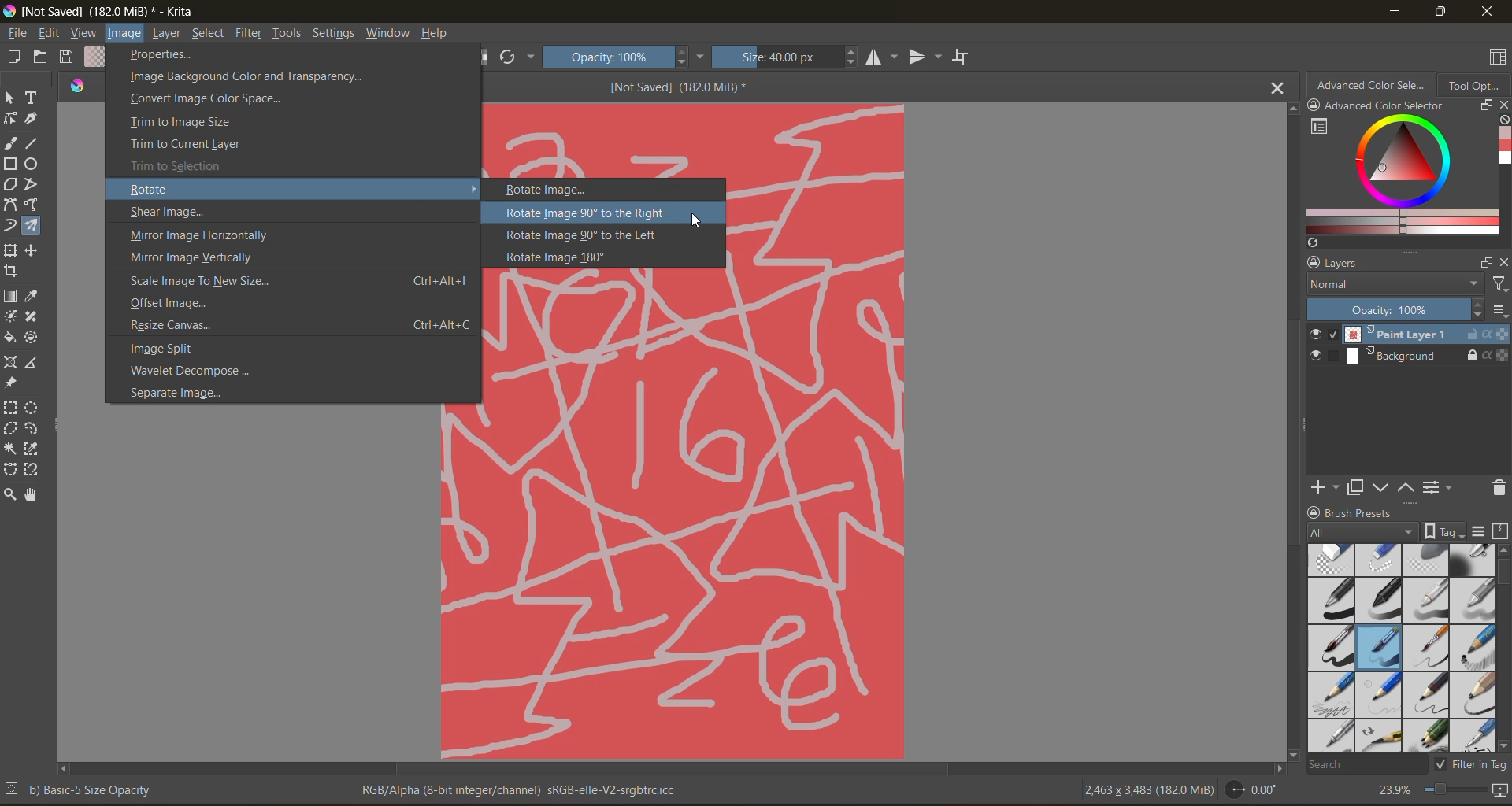  I want to click on create, so click(11, 57).